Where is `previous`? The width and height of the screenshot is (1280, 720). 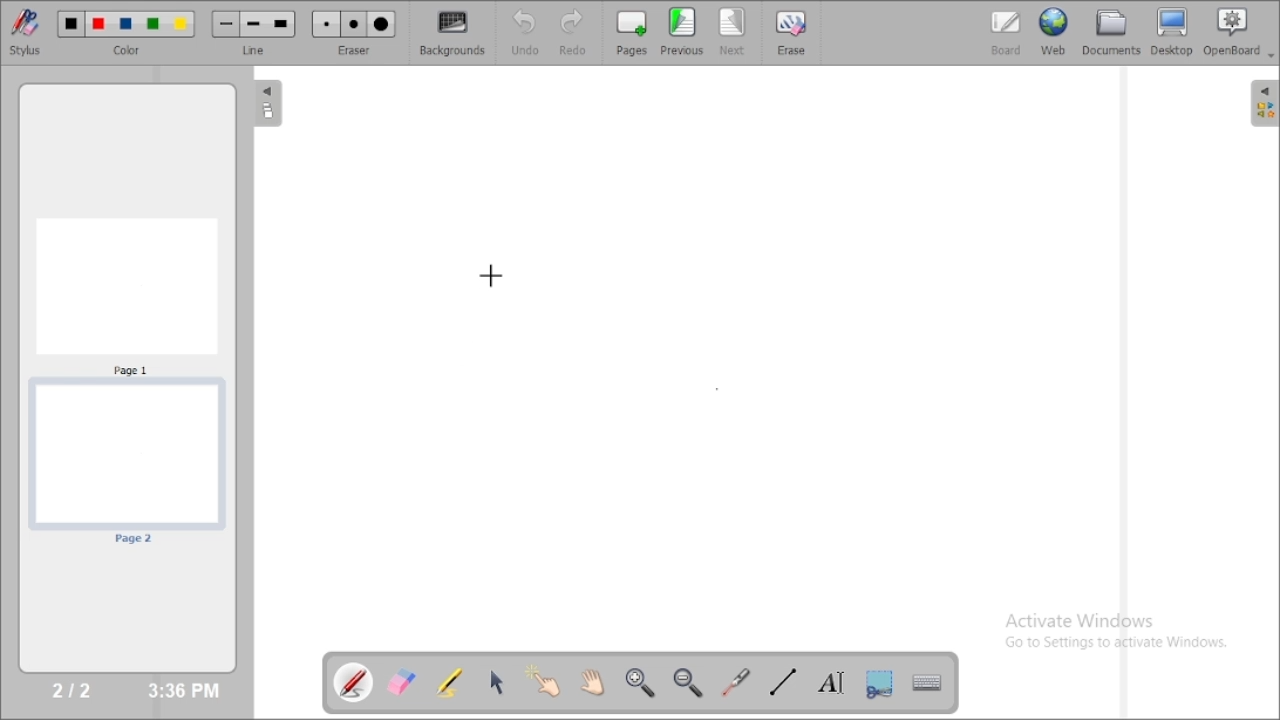 previous is located at coordinates (682, 31).